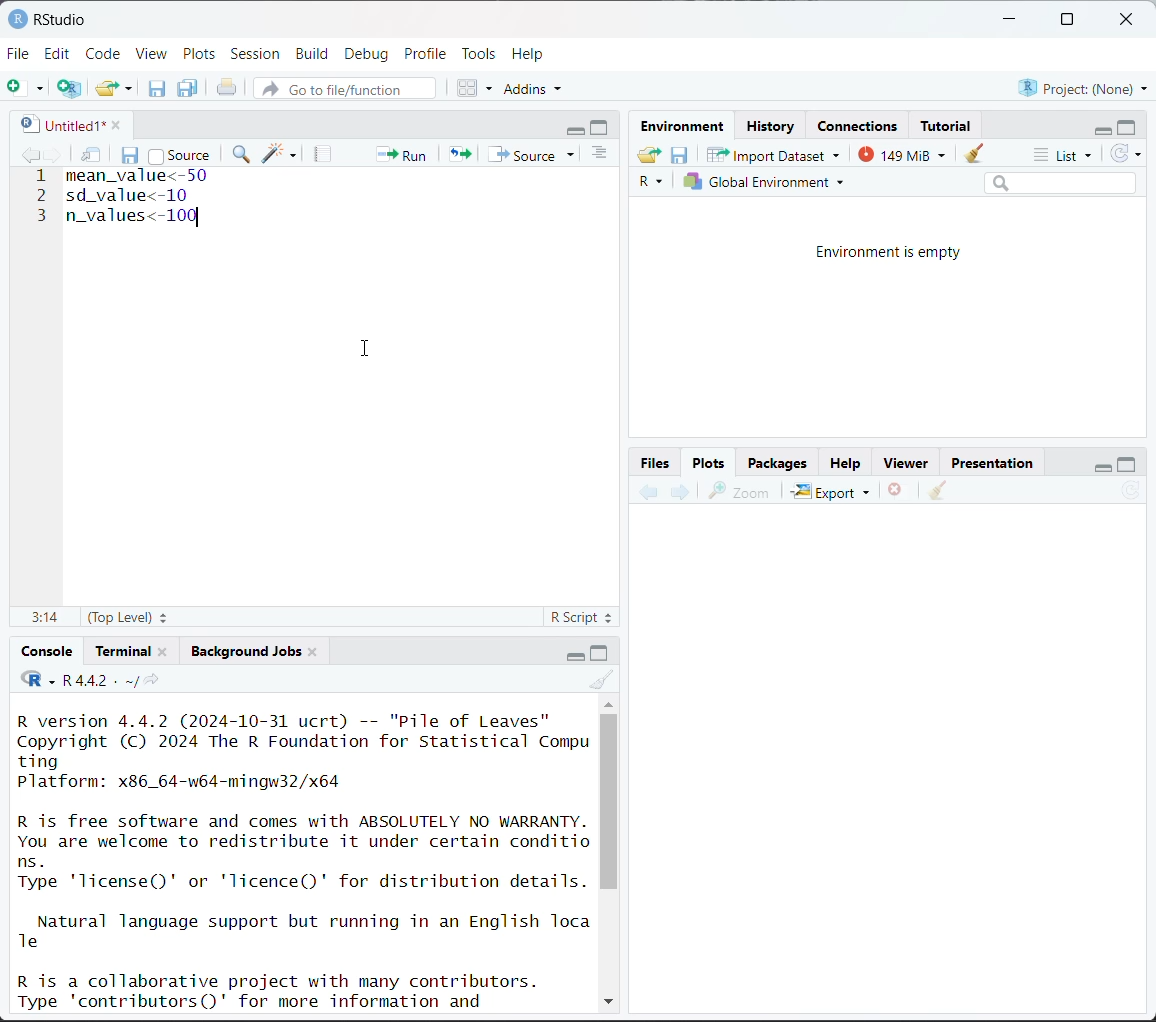 The image size is (1156, 1022). What do you see at coordinates (1060, 182) in the screenshot?
I see `search` at bounding box center [1060, 182].